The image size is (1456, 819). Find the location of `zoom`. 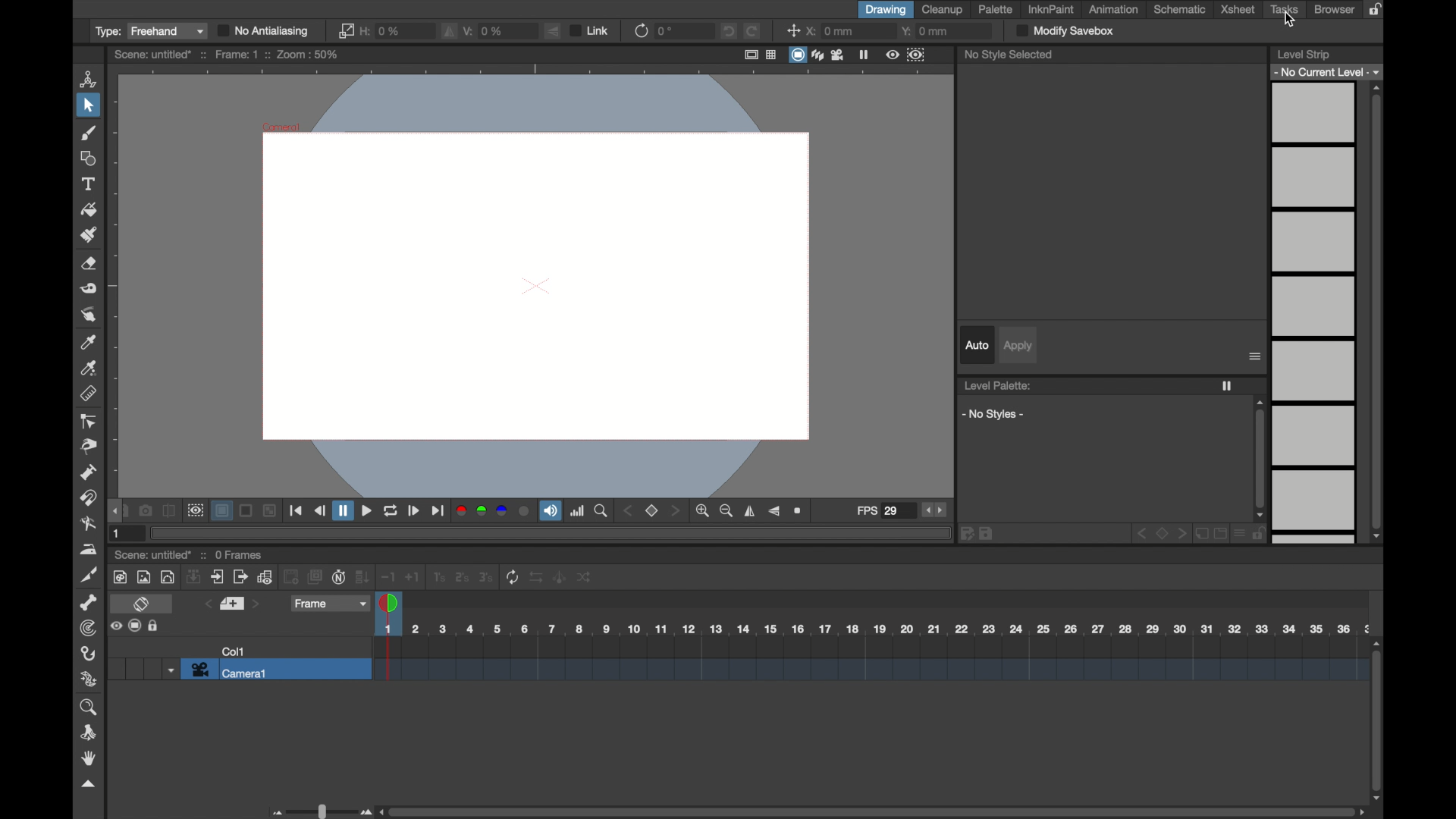

zoom is located at coordinates (800, 511).